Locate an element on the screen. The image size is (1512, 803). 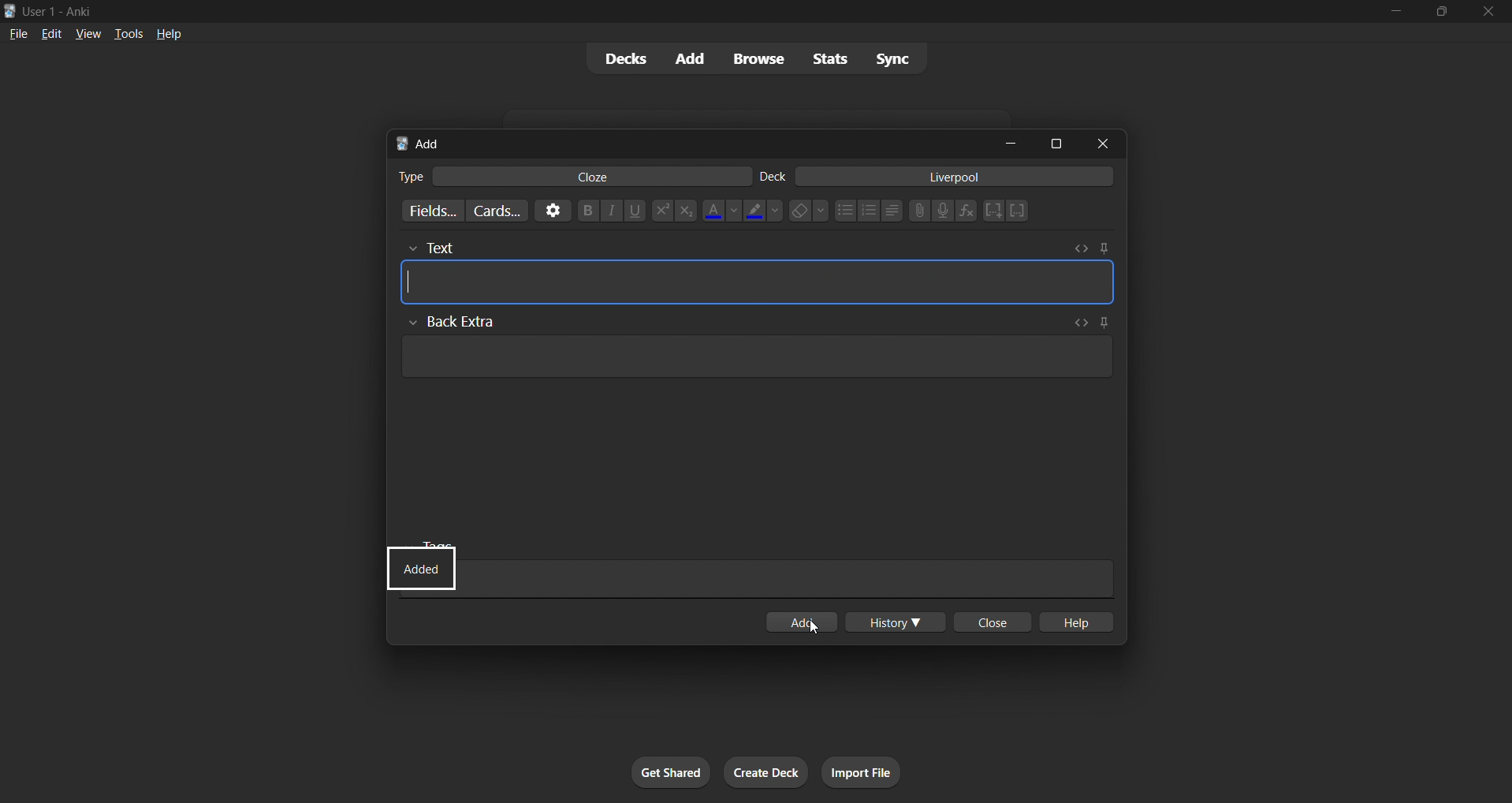
customize card field is located at coordinates (434, 207).